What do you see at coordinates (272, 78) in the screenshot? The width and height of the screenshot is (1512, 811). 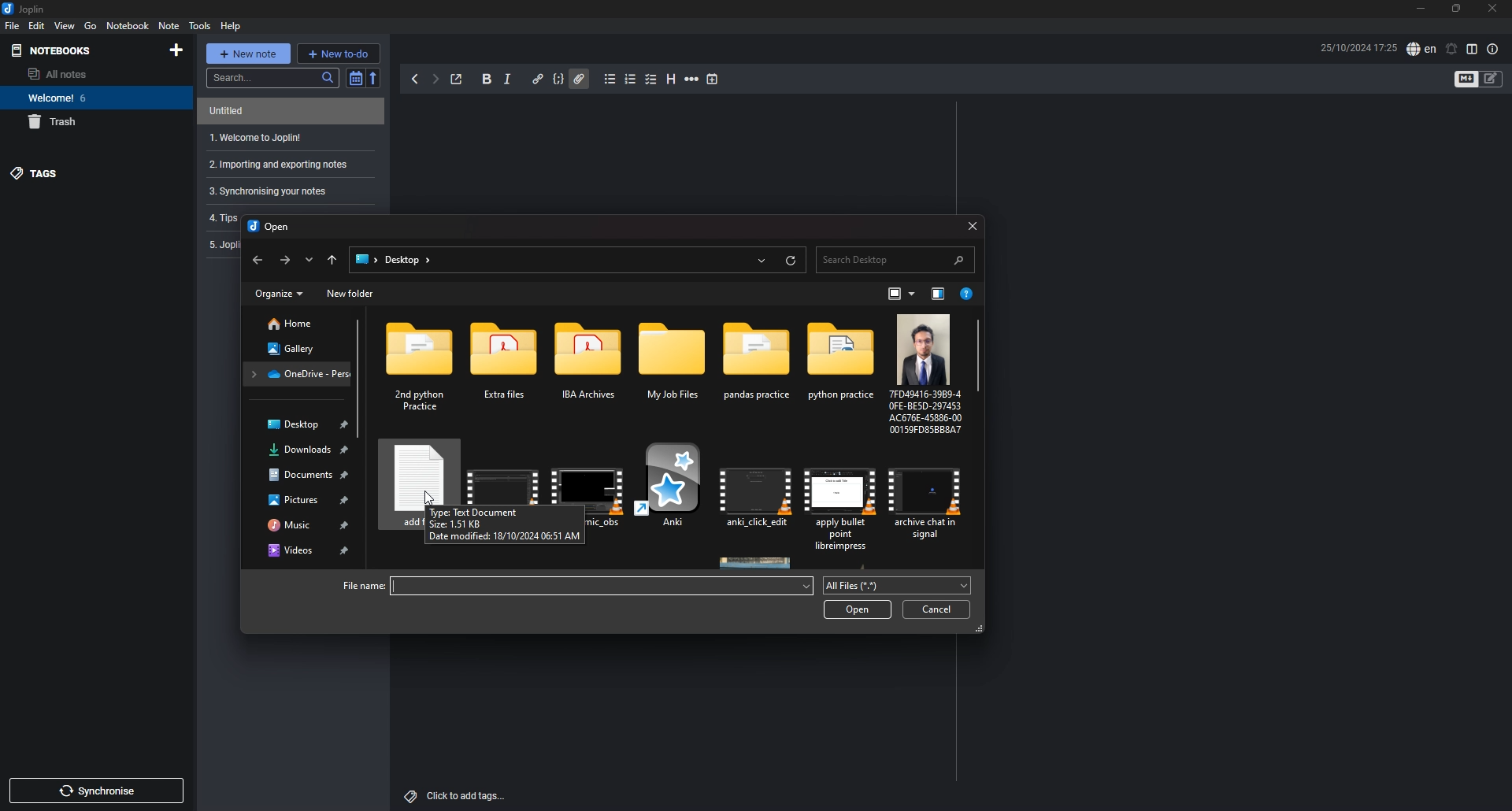 I see `search bar` at bounding box center [272, 78].